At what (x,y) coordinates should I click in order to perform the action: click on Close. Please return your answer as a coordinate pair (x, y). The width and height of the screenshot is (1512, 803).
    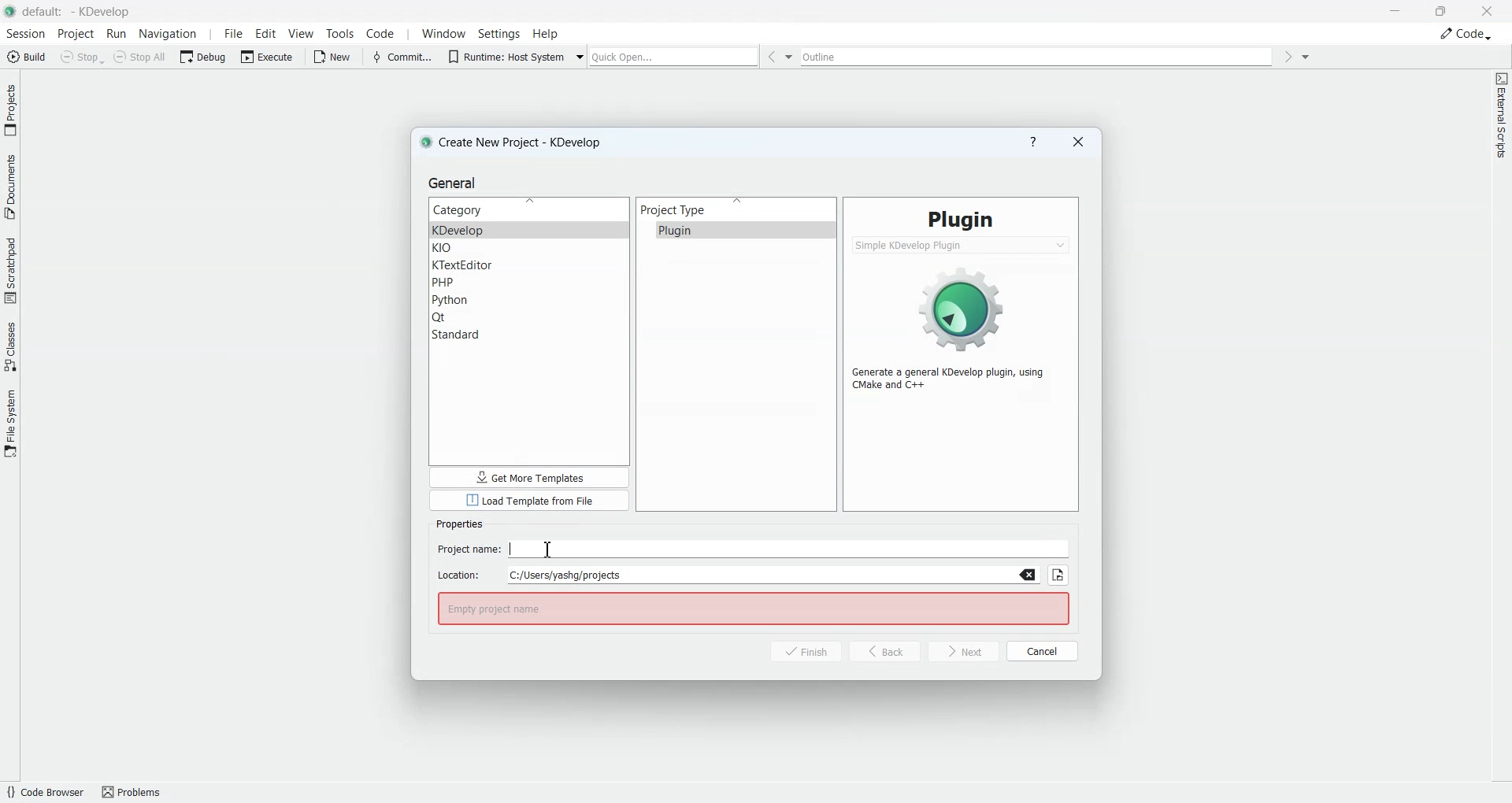
    Looking at the image, I should click on (1487, 10).